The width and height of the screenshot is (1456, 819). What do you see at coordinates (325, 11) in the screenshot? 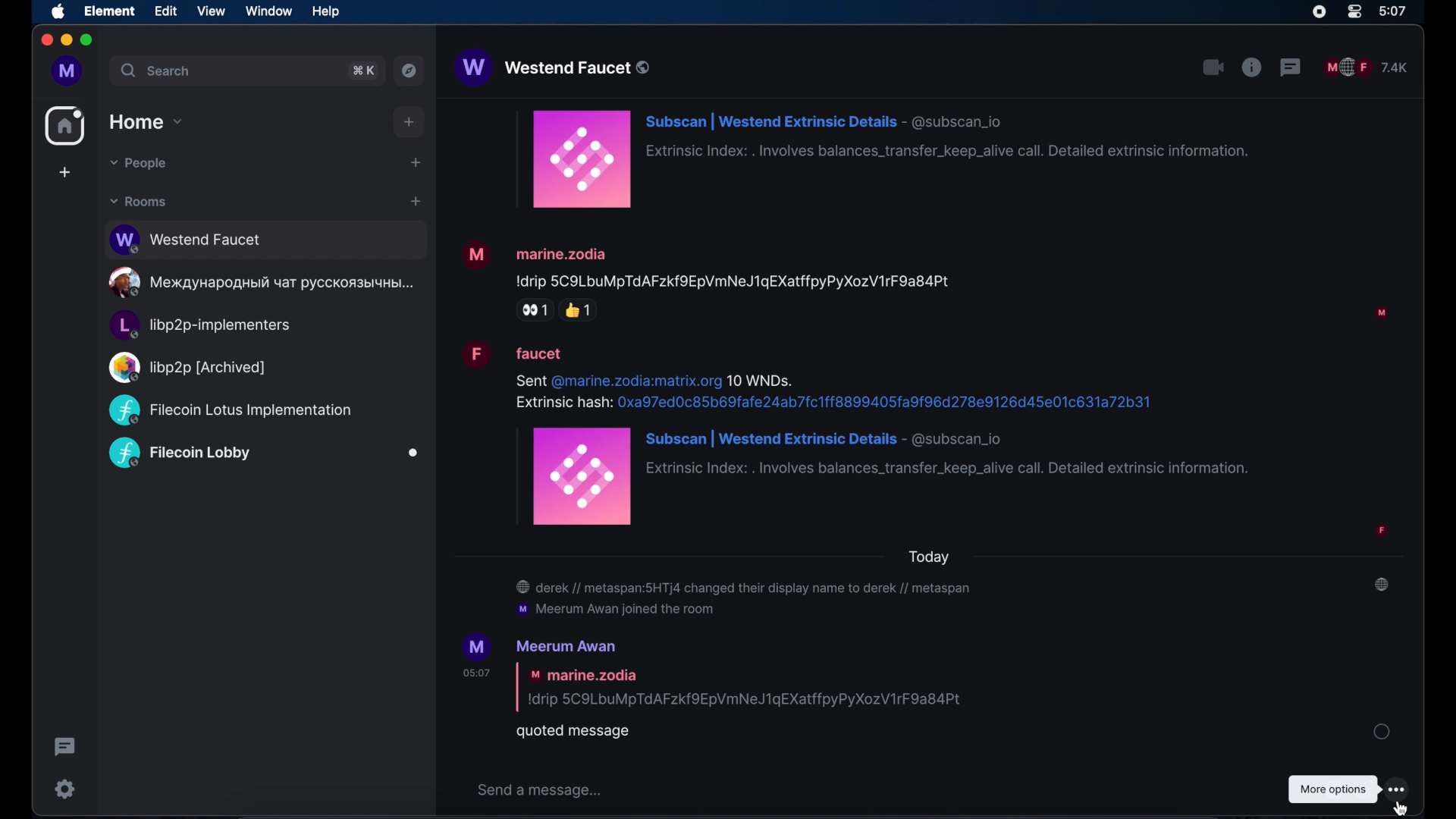
I see `help` at bounding box center [325, 11].